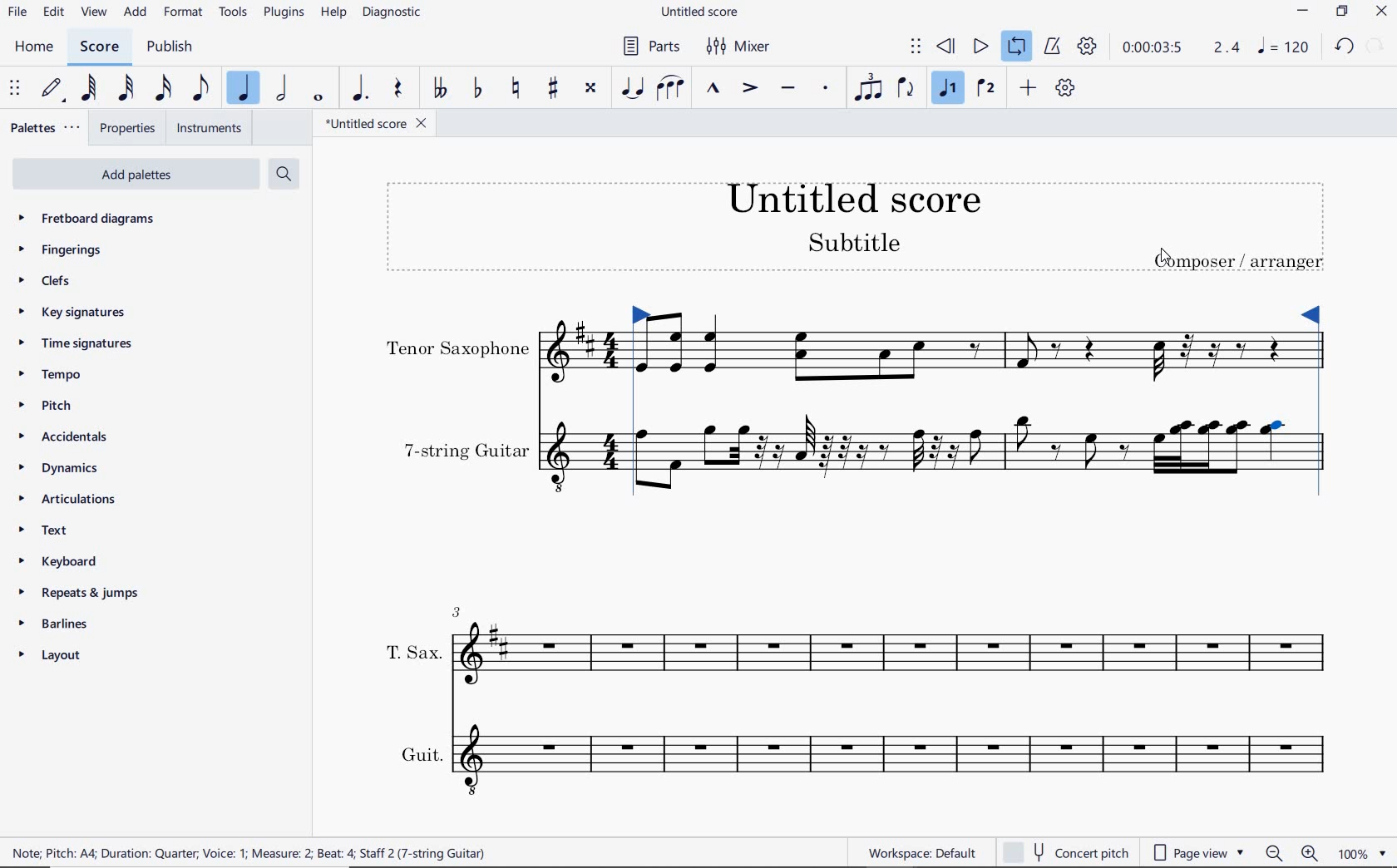 The width and height of the screenshot is (1397, 868). Describe the element at coordinates (301, 851) in the screenshot. I see `score description` at that location.